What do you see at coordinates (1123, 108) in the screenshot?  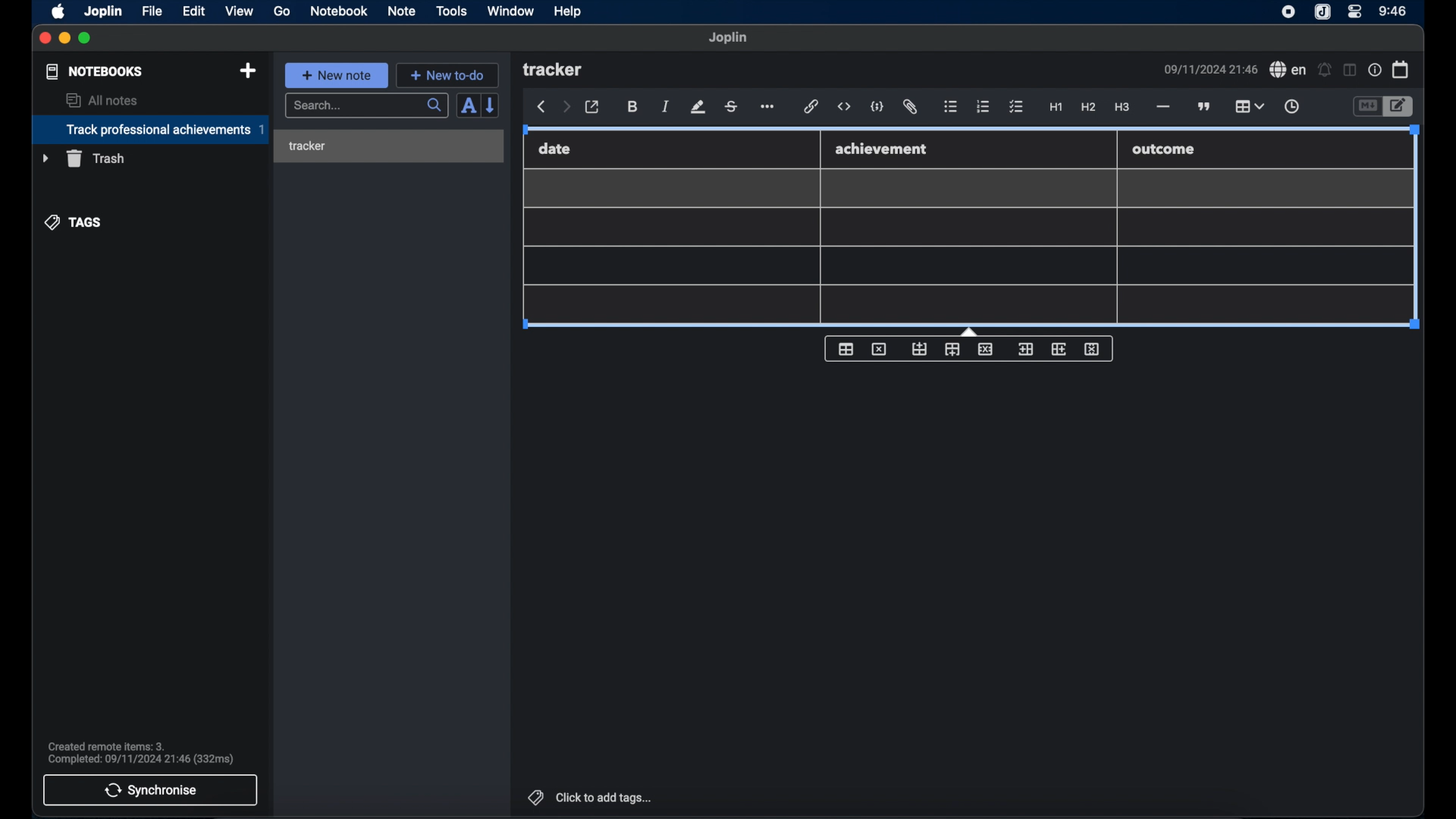 I see `heading 3` at bounding box center [1123, 108].